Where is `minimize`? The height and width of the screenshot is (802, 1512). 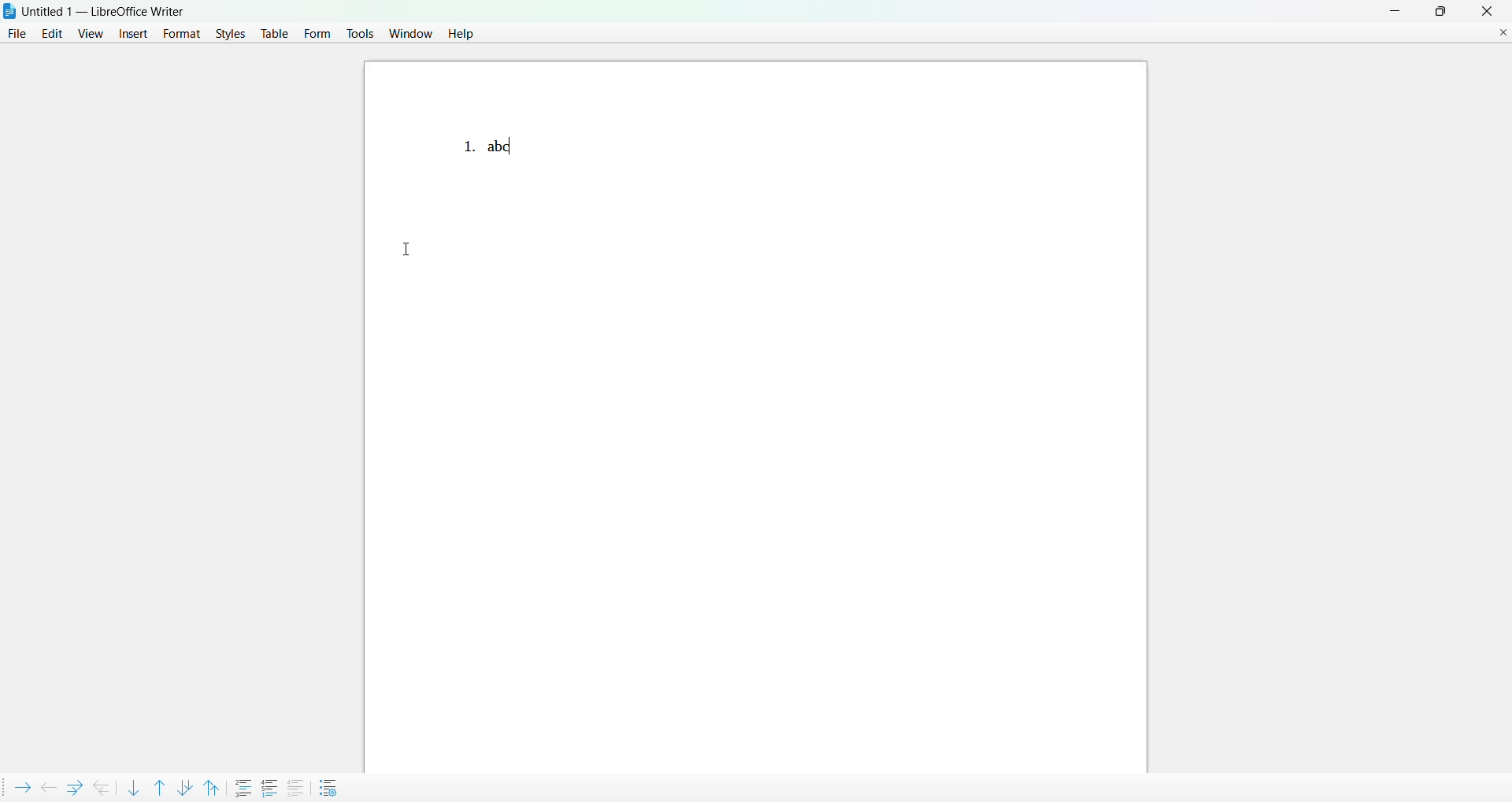
minimize is located at coordinates (1391, 10).